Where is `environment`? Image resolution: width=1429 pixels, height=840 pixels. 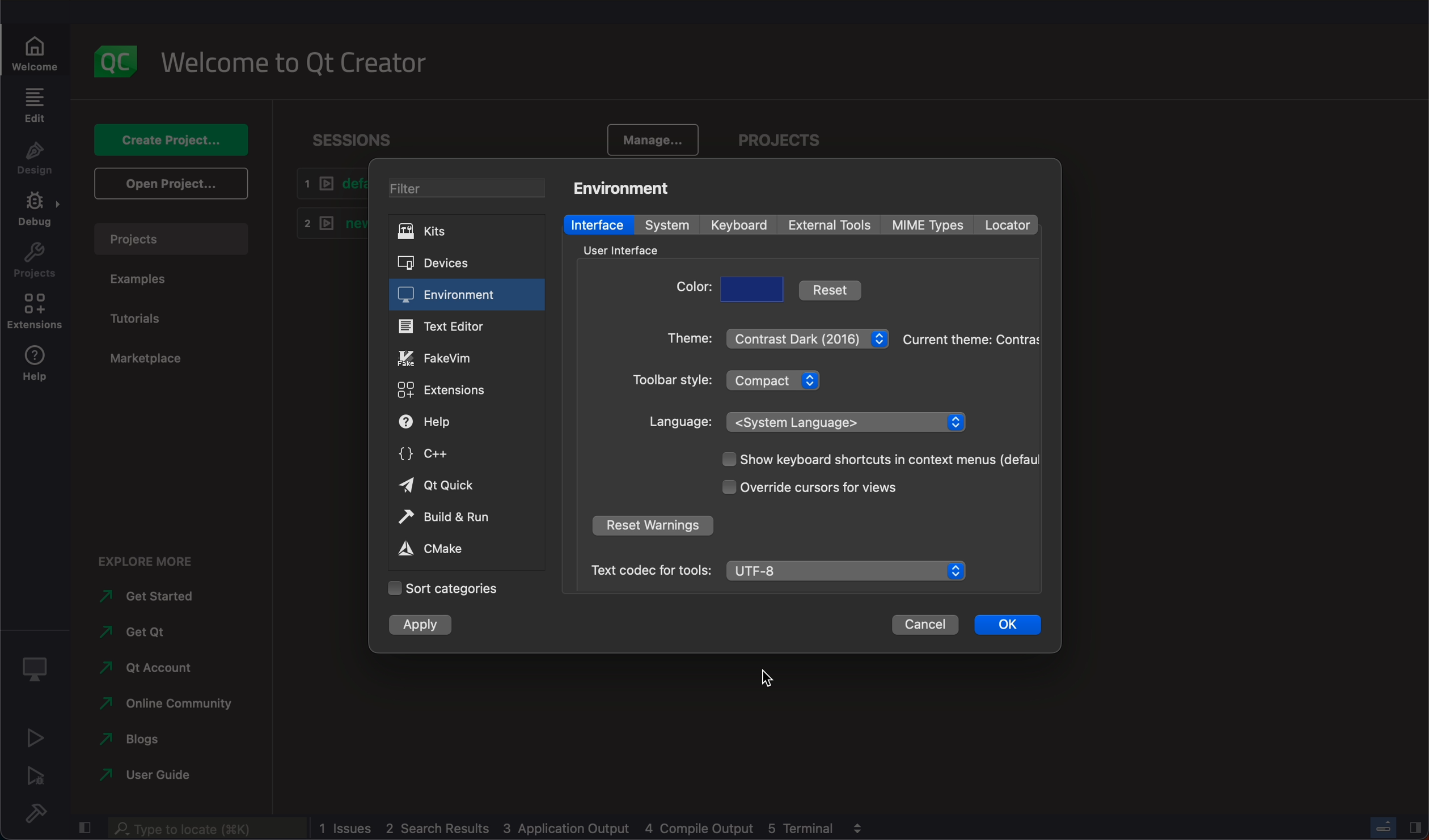 environment is located at coordinates (628, 187).